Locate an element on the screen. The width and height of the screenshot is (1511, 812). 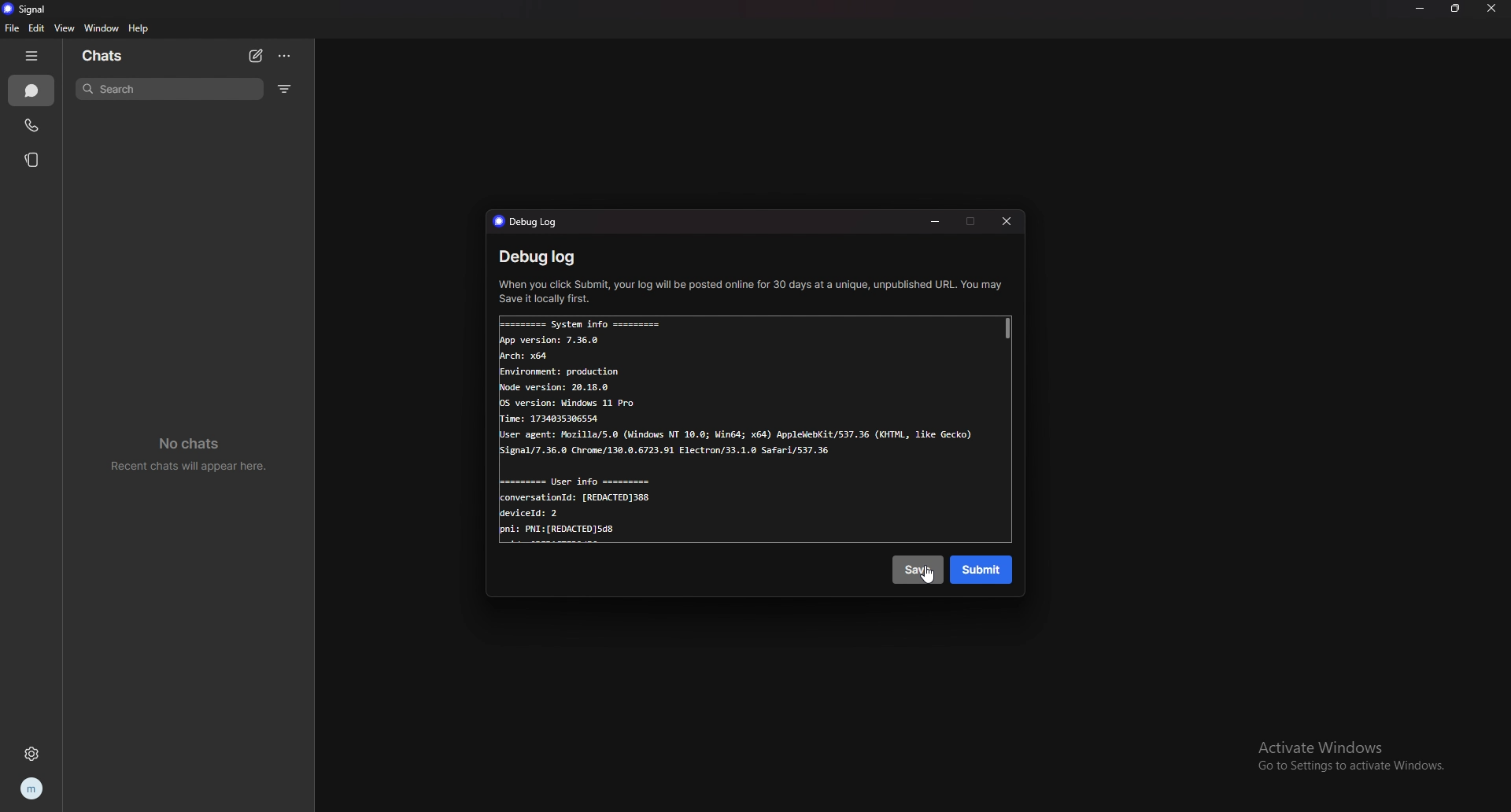
view is located at coordinates (64, 29).